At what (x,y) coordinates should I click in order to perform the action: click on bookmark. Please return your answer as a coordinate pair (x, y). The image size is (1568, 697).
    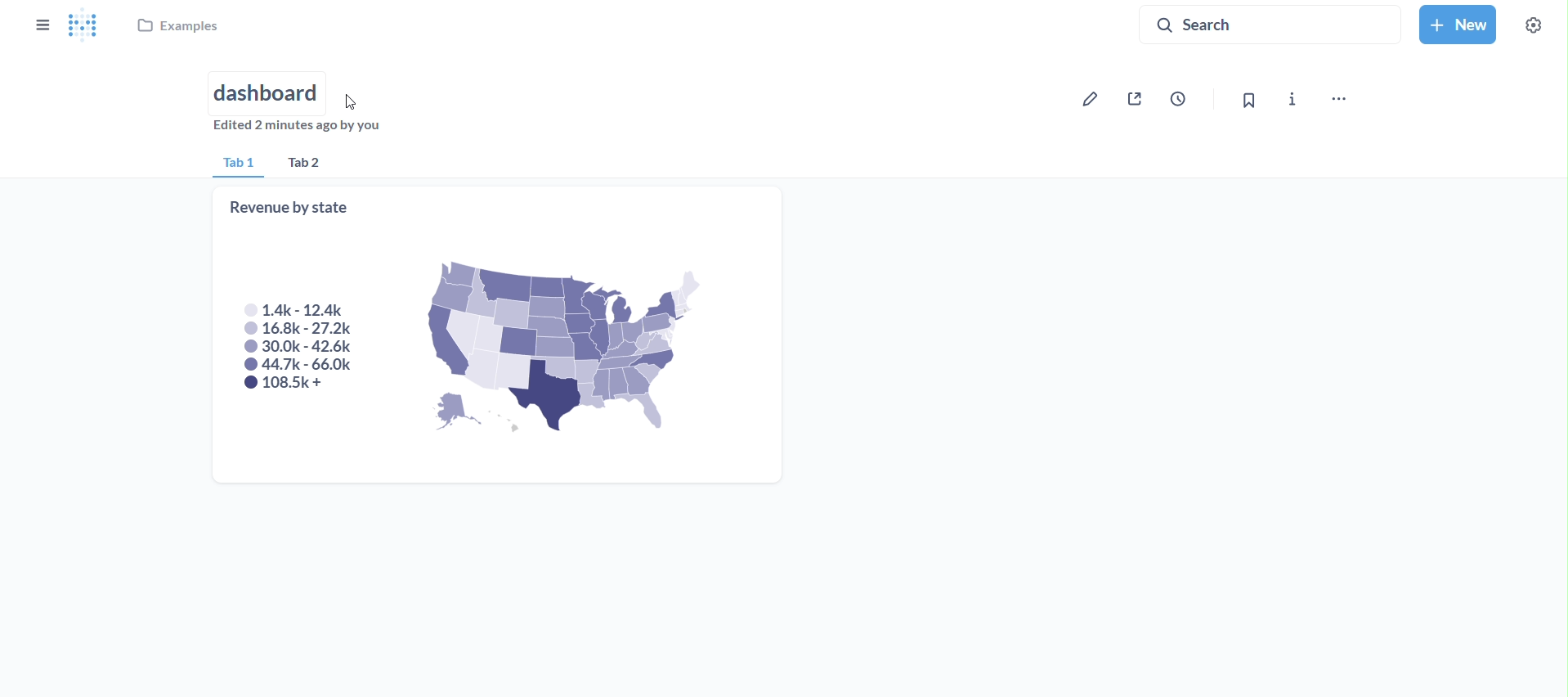
    Looking at the image, I should click on (1244, 100).